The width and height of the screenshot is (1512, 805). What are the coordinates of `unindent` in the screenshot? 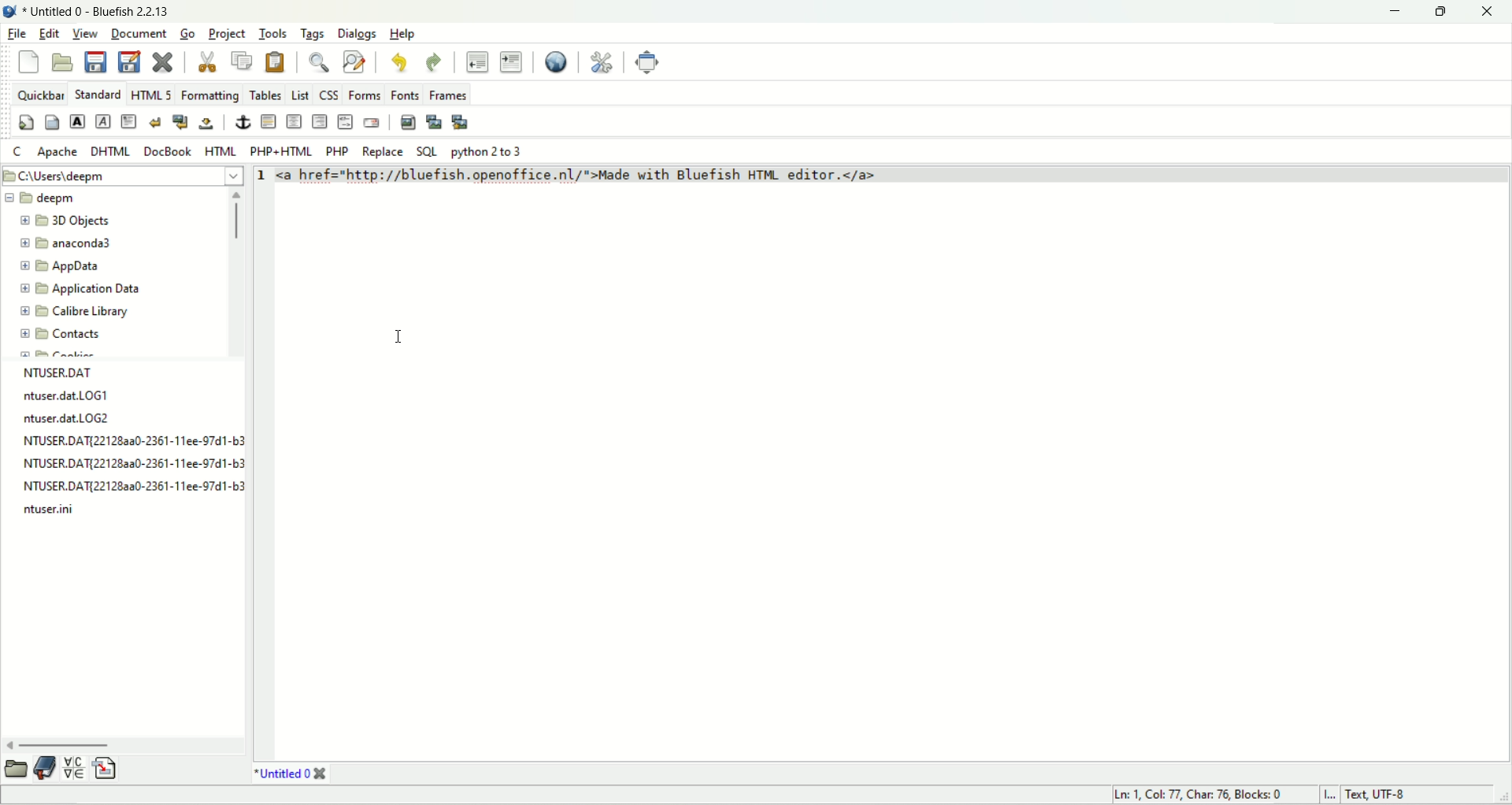 It's located at (477, 60).